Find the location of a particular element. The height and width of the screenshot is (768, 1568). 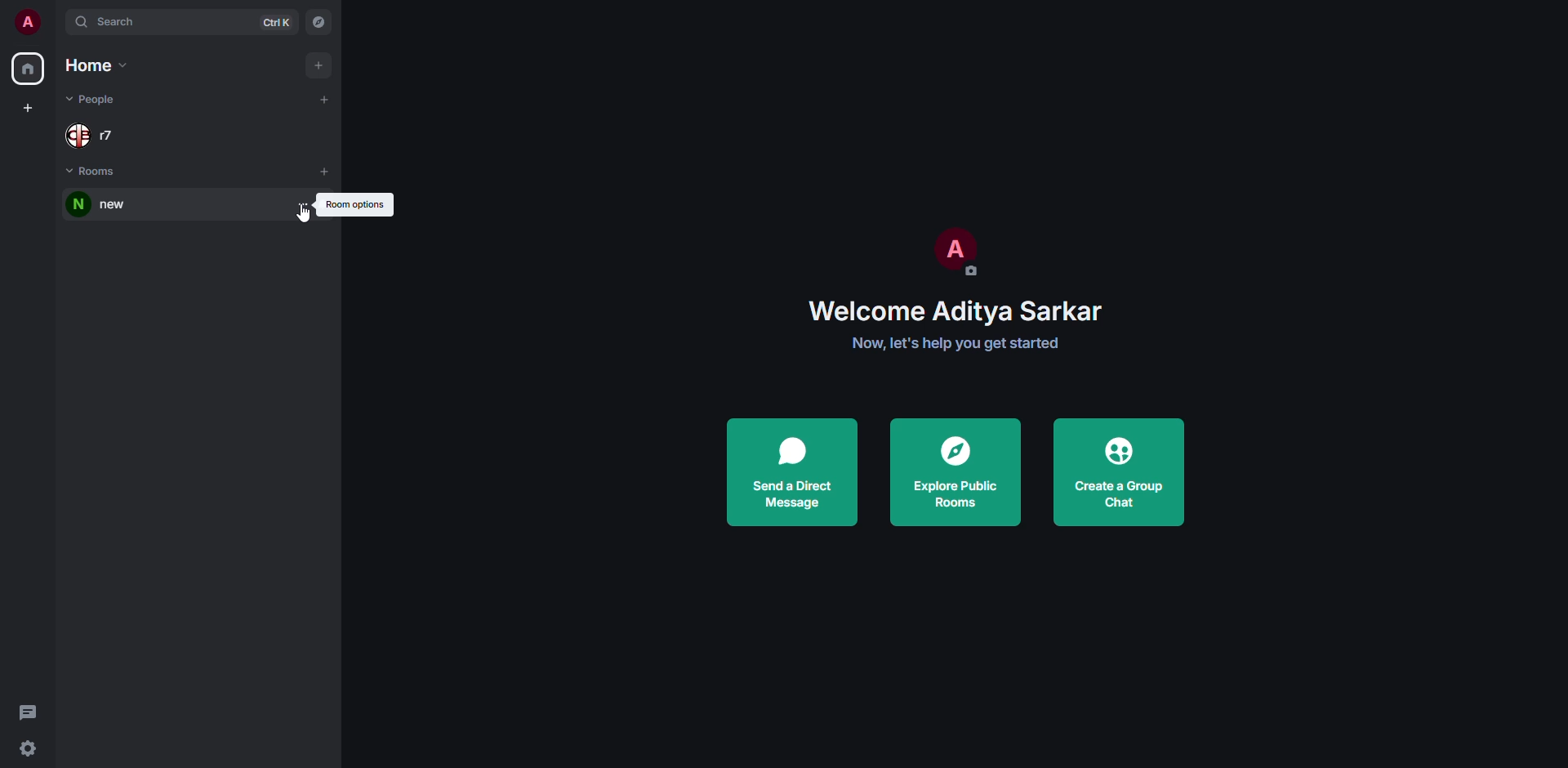

room is located at coordinates (108, 205).